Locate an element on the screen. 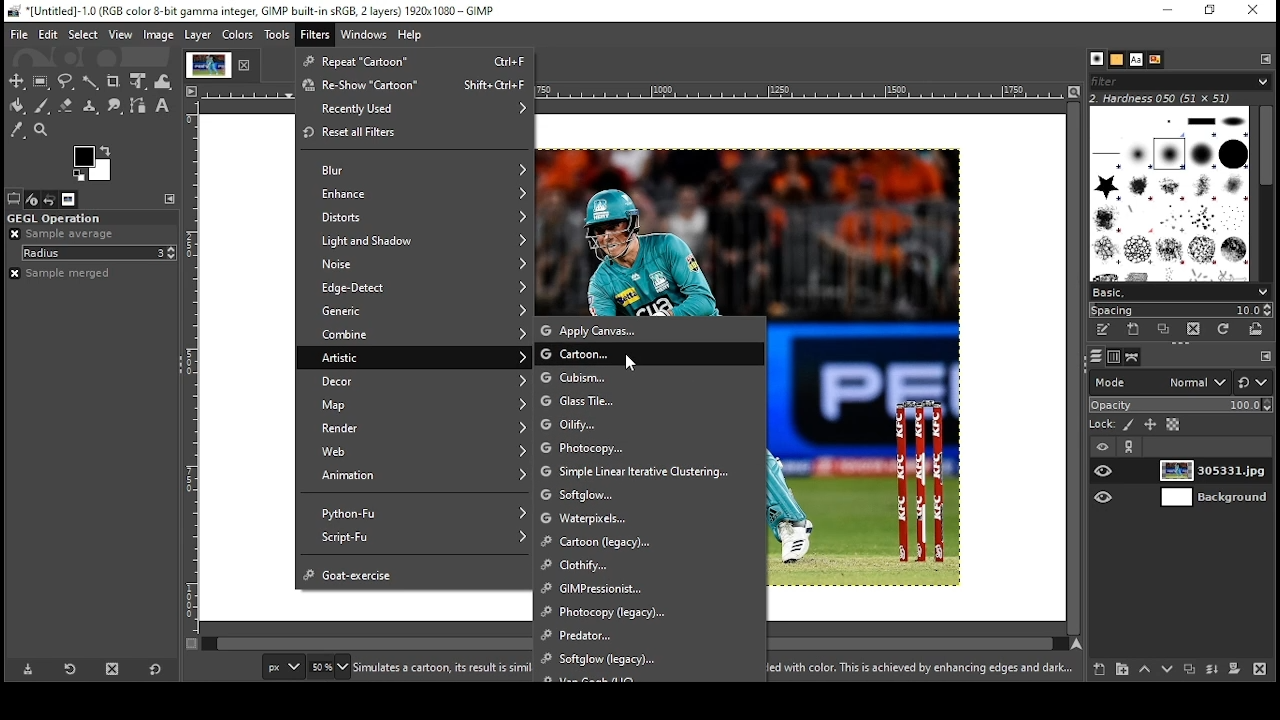 Image resolution: width=1280 pixels, height=720 pixels. reset all filters is located at coordinates (416, 134).